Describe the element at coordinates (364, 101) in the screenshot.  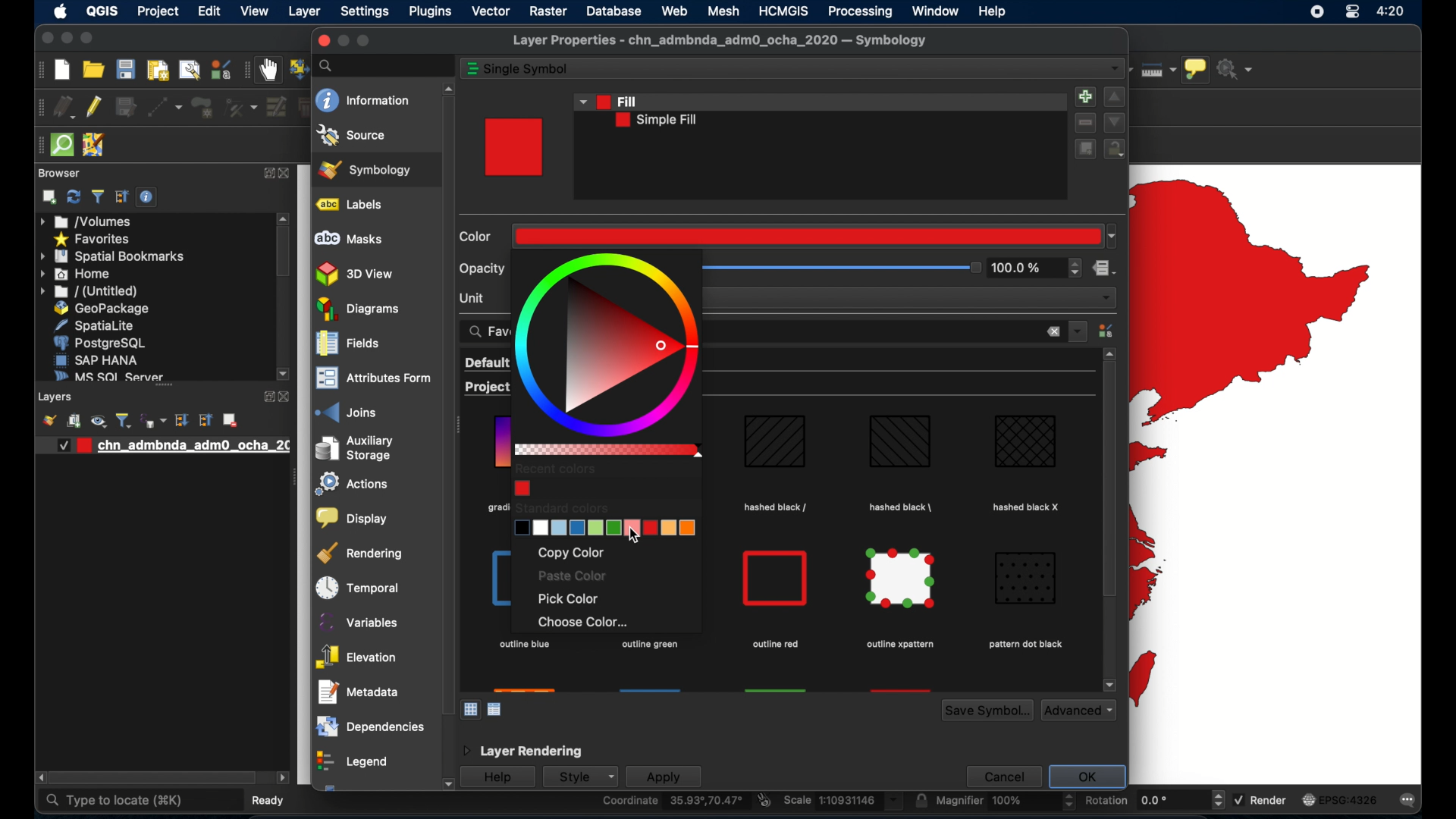
I see `information` at that location.